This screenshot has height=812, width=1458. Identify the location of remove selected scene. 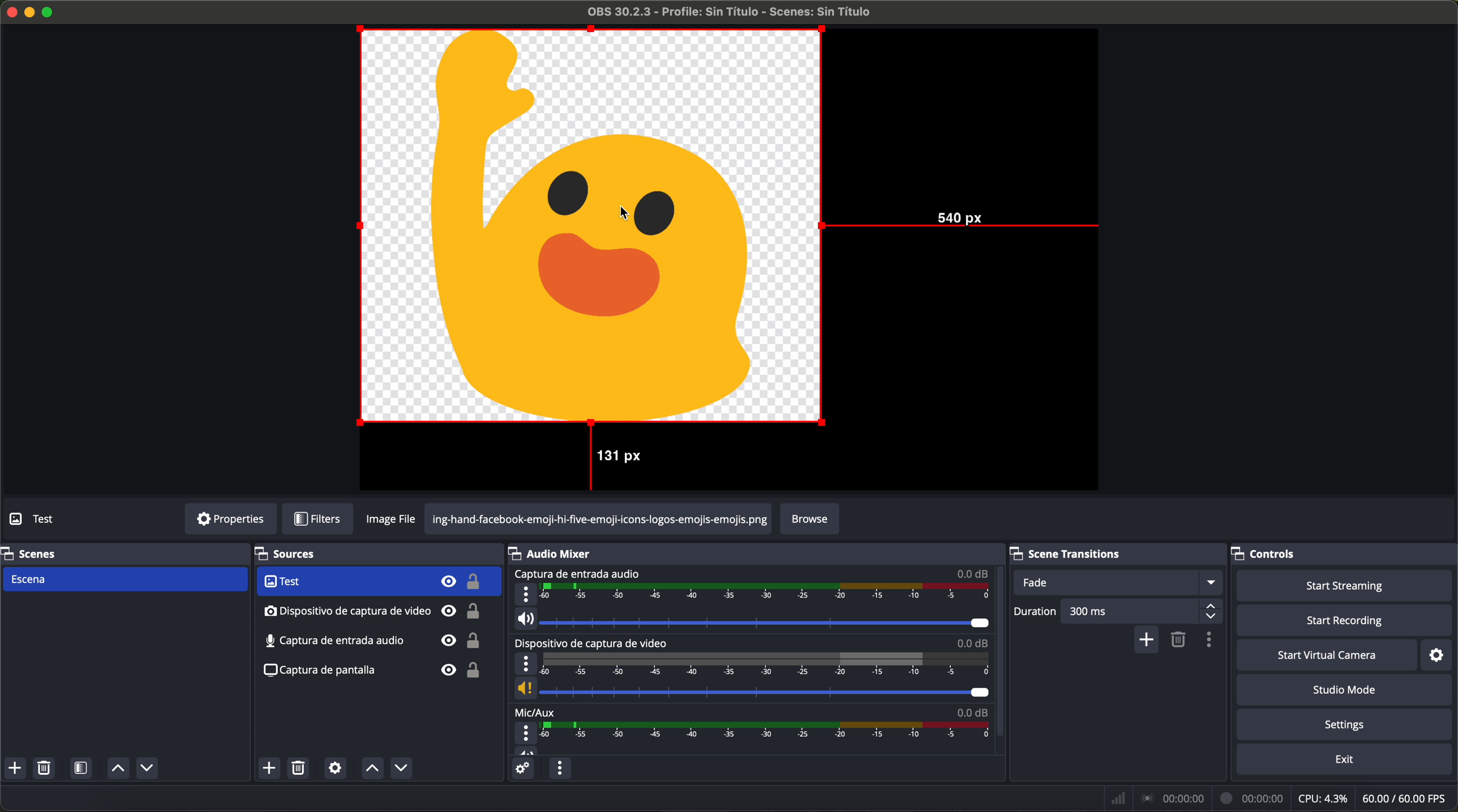
(44, 768).